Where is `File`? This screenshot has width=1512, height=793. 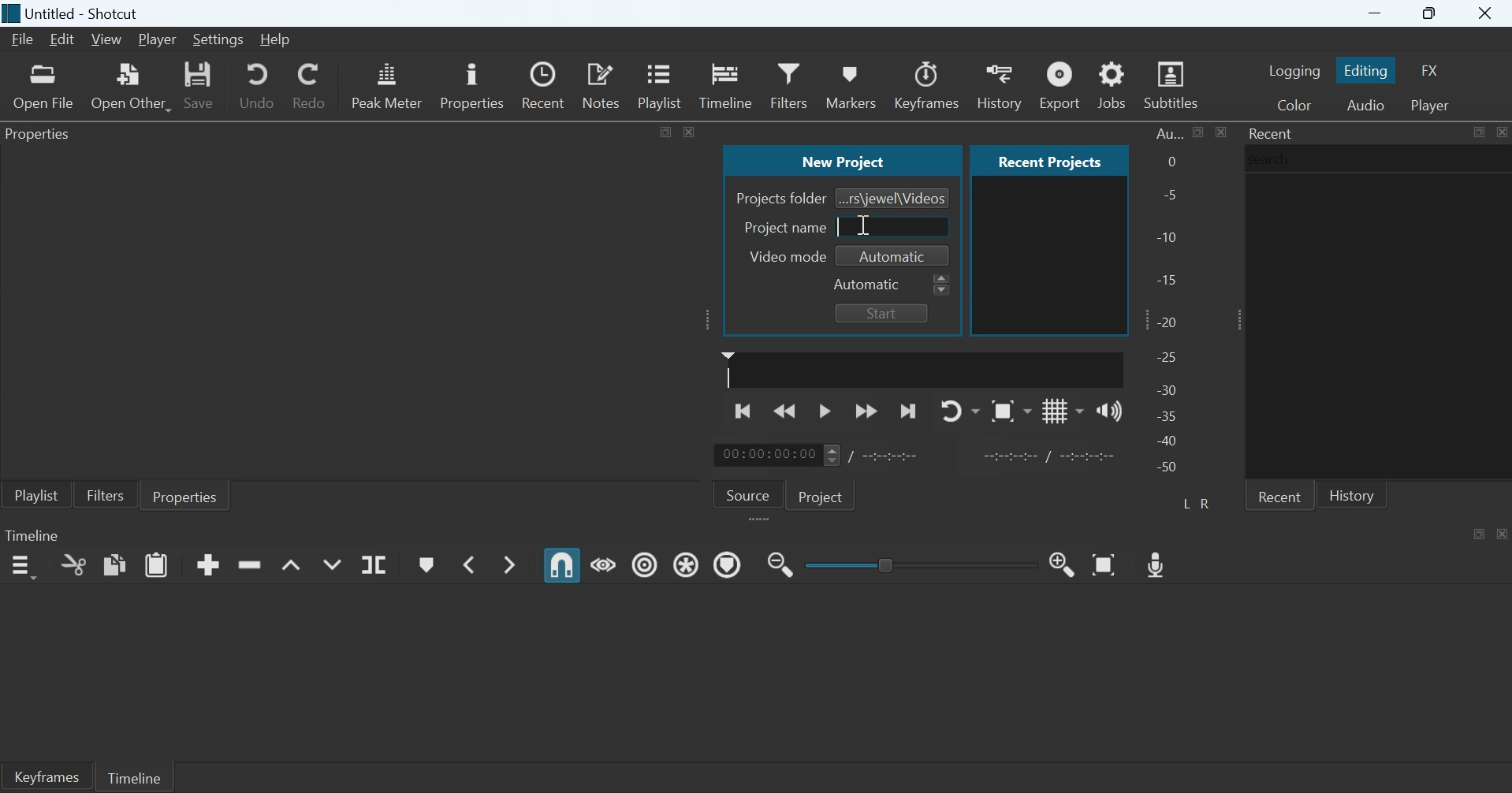 File is located at coordinates (24, 39).